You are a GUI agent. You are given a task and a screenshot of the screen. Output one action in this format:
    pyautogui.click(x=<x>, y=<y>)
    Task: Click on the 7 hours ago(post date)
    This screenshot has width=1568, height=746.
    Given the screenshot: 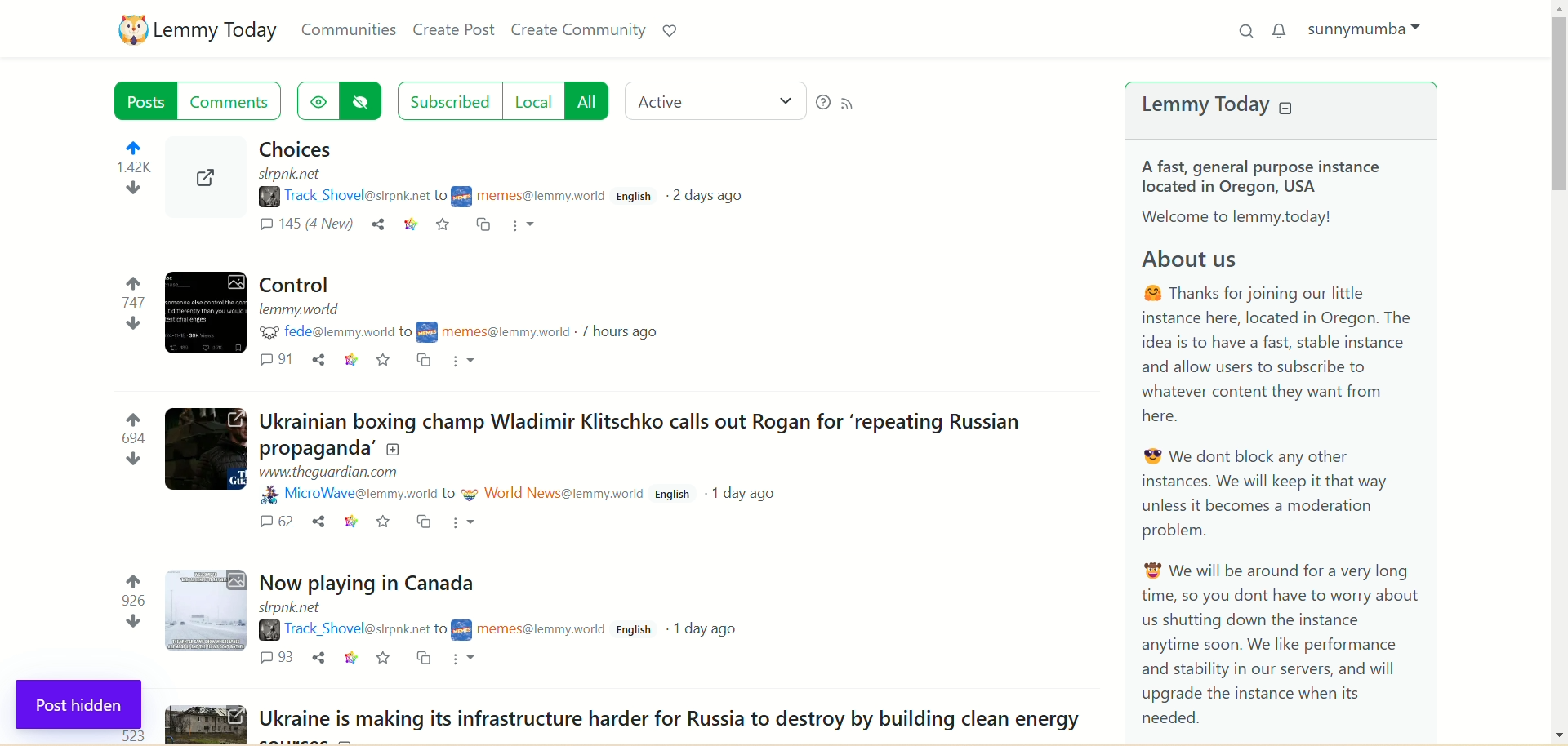 What is the action you would take?
    pyautogui.click(x=627, y=331)
    